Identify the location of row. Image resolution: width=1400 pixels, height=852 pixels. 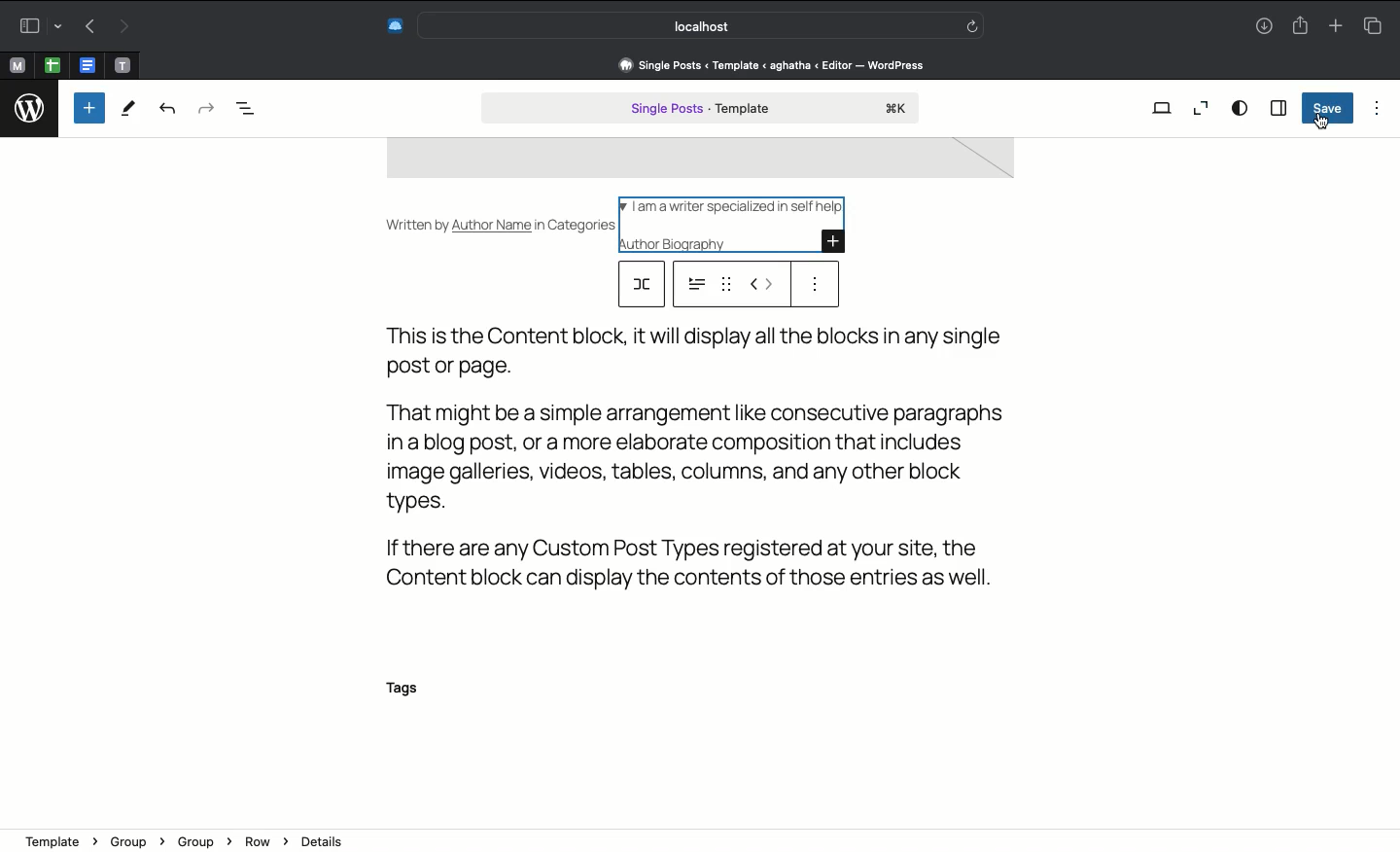
(641, 284).